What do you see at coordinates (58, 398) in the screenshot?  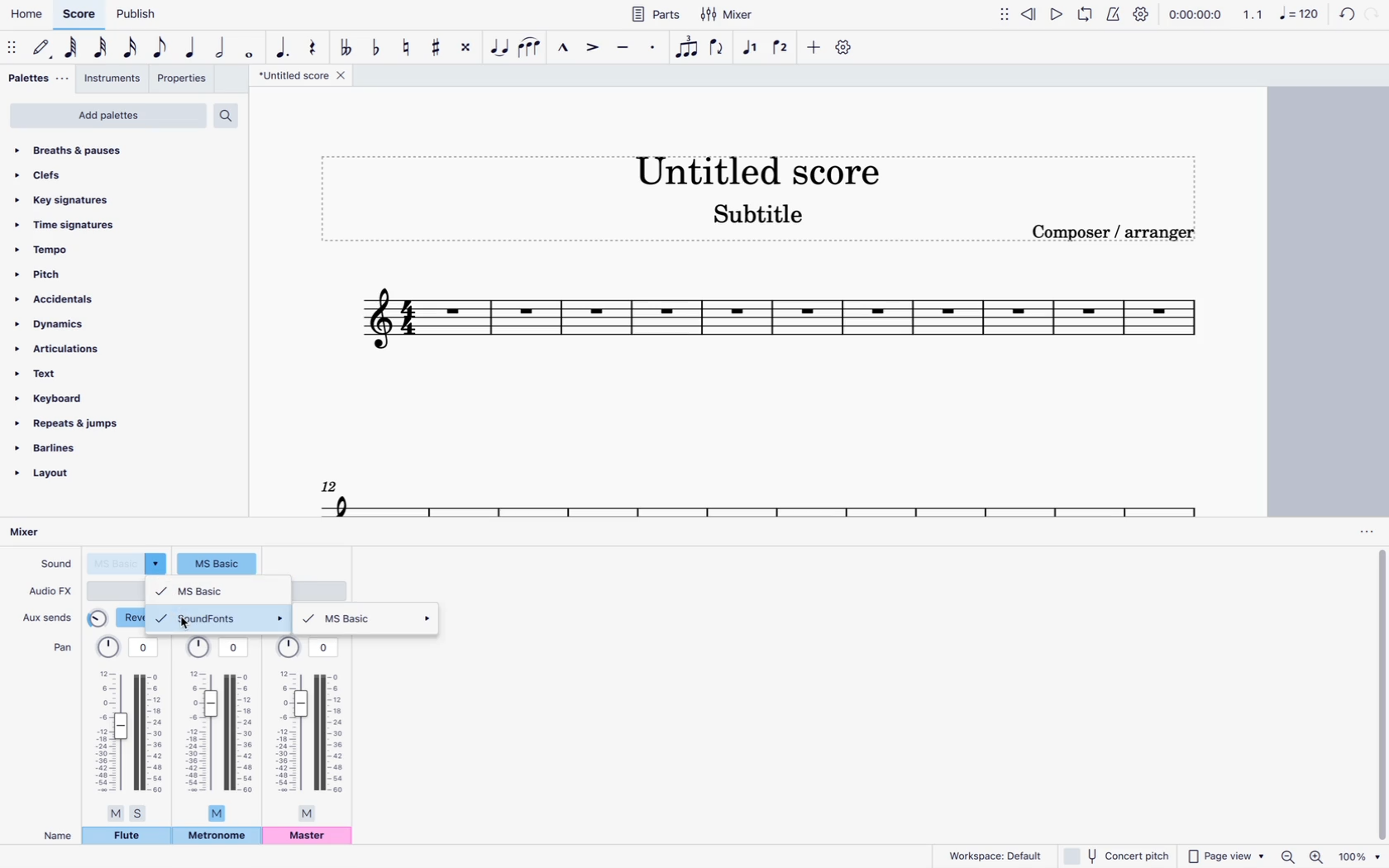 I see `keyboard` at bounding box center [58, 398].